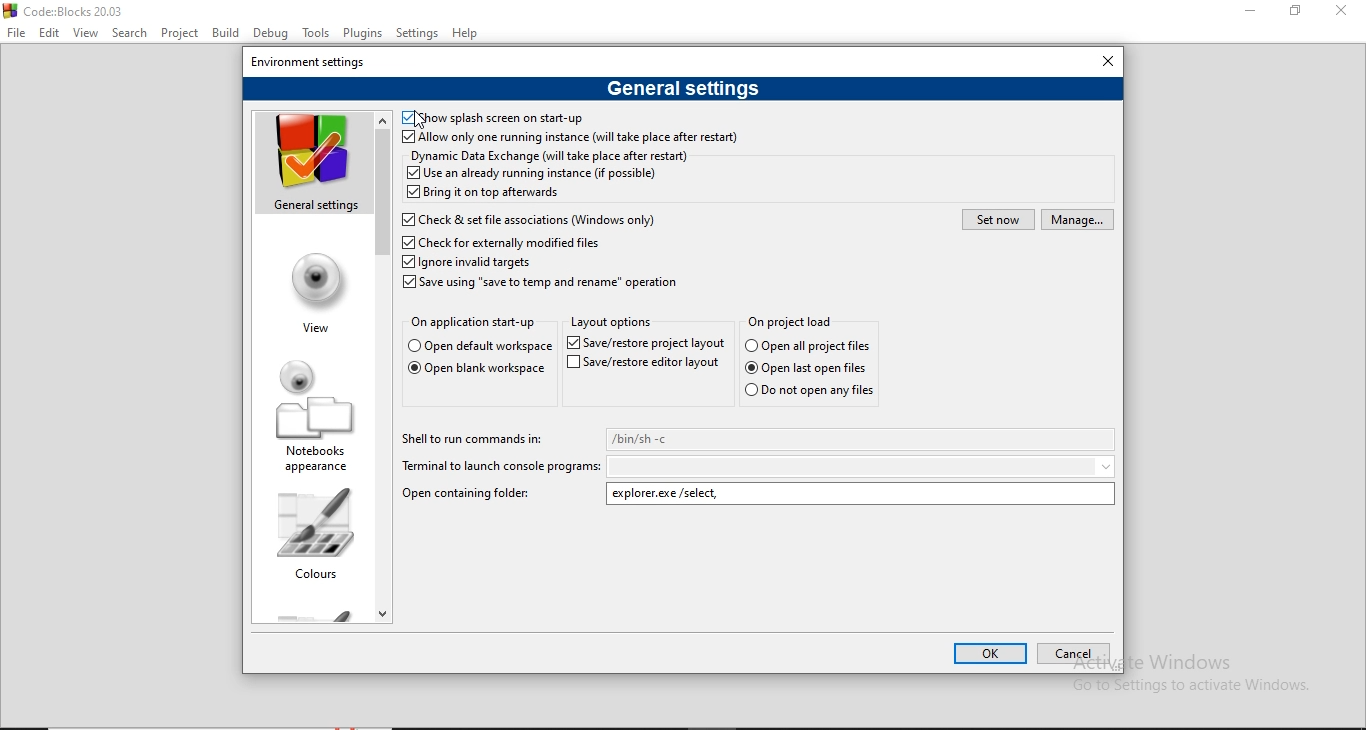  What do you see at coordinates (384, 365) in the screenshot?
I see `scroll bar` at bounding box center [384, 365].